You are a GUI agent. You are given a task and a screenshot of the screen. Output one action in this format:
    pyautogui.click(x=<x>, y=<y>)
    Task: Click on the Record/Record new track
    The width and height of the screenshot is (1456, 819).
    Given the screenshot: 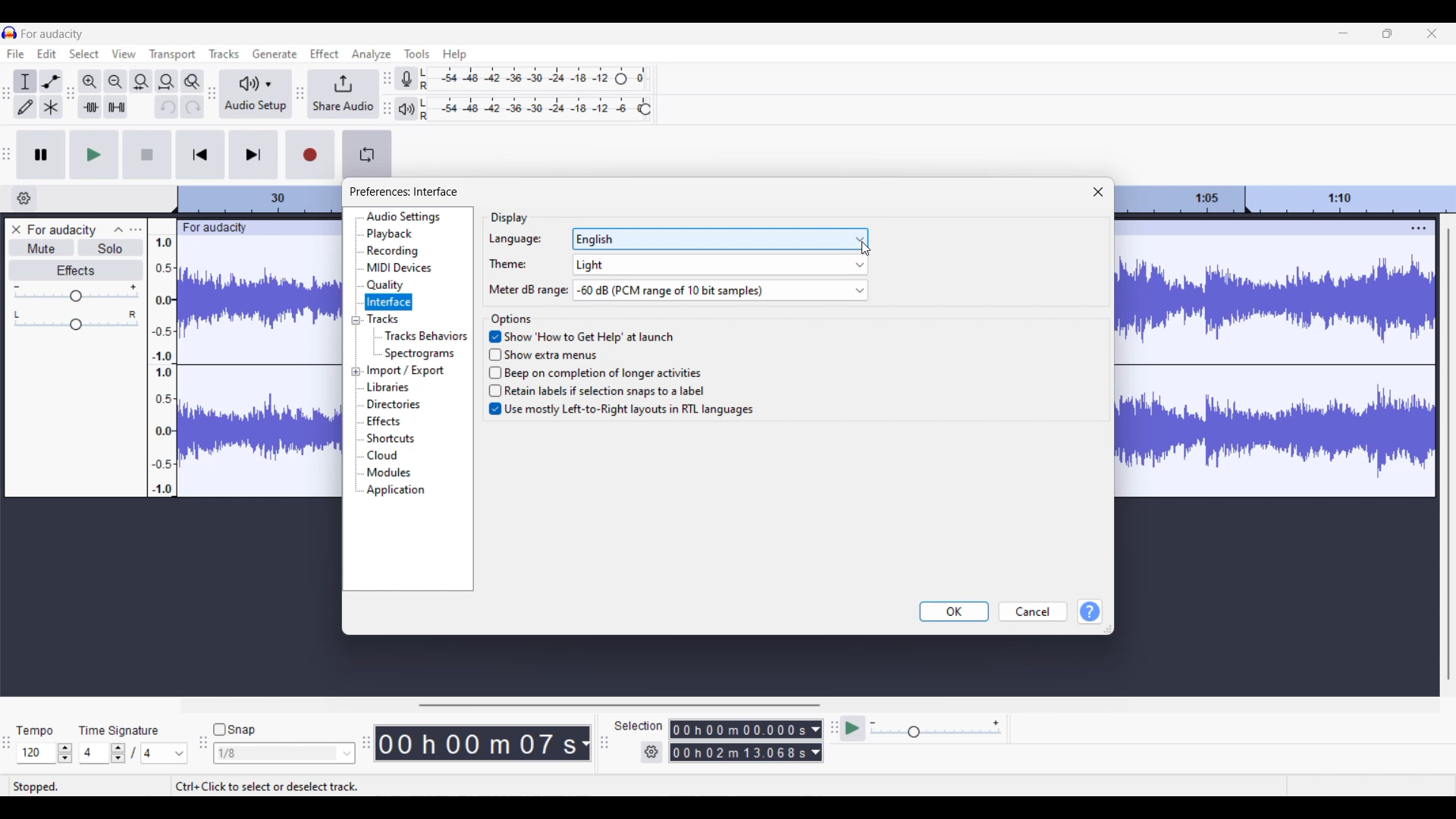 What is the action you would take?
    pyautogui.click(x=310, y=155)
    